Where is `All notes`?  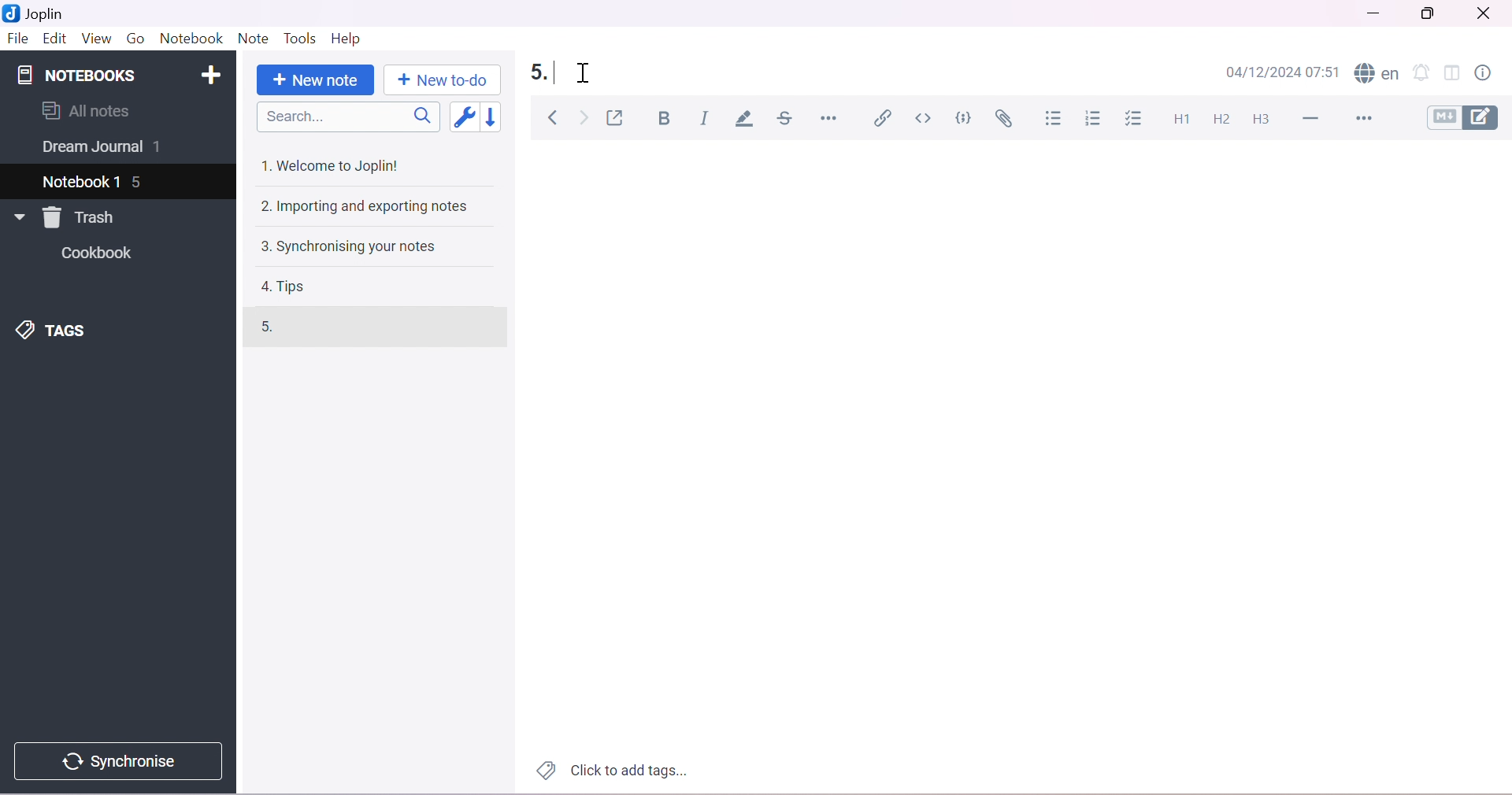
All notes is located at coordinates (86, 110).